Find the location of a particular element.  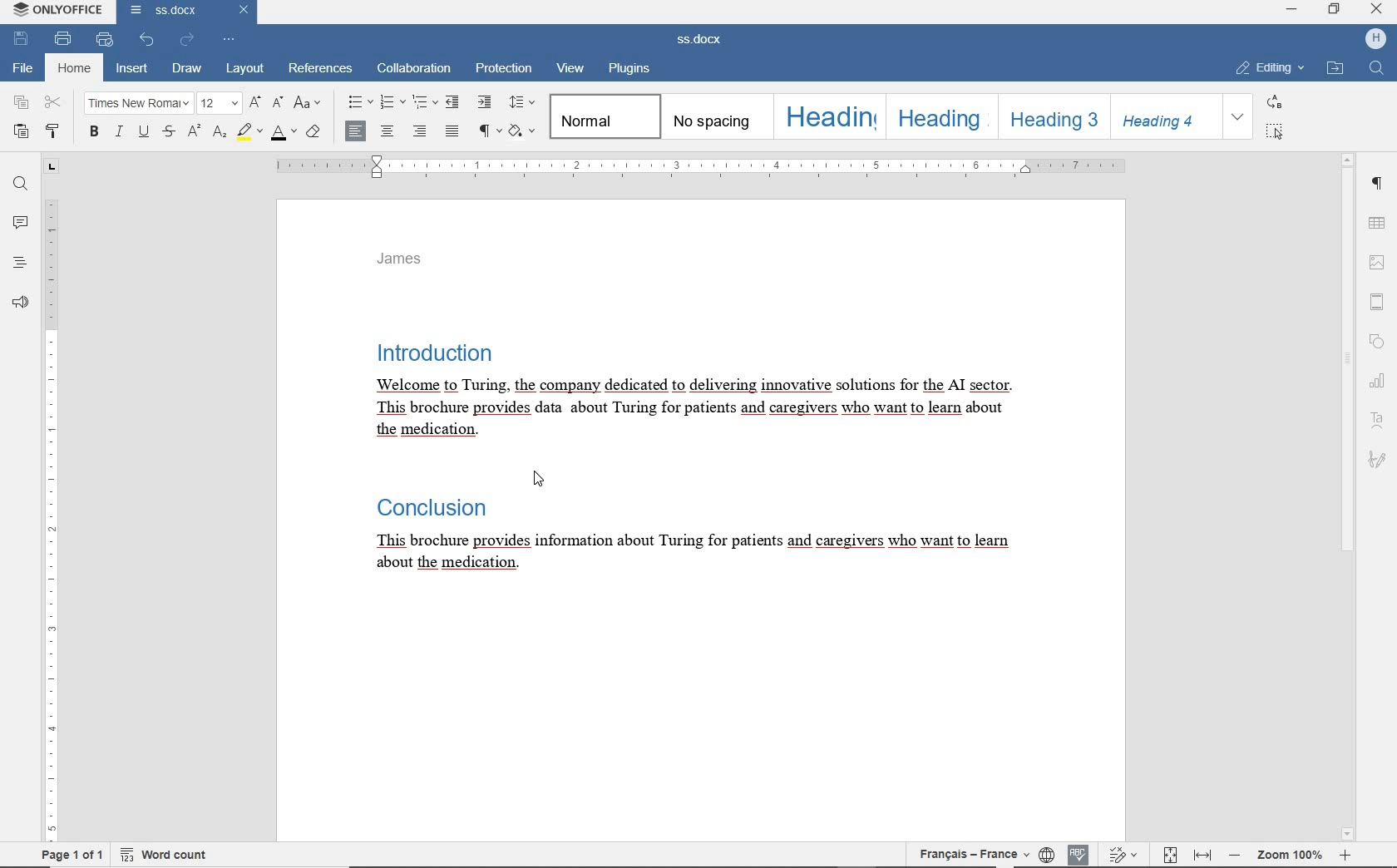

SET DOCUMENT LANGUAGE is located at coordinates (1046, 855).